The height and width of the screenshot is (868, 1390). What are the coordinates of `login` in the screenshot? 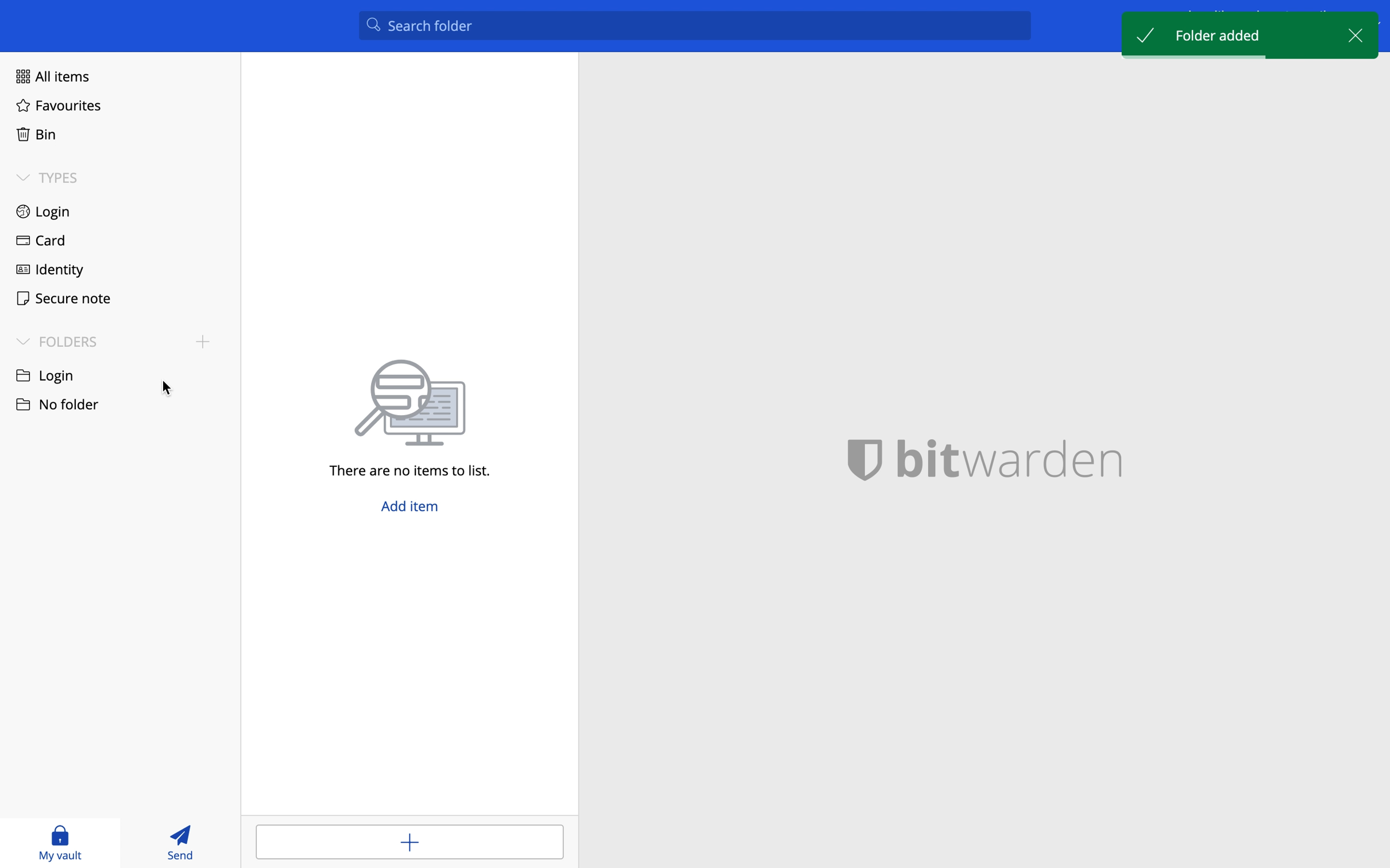 It's located at (44, 212).